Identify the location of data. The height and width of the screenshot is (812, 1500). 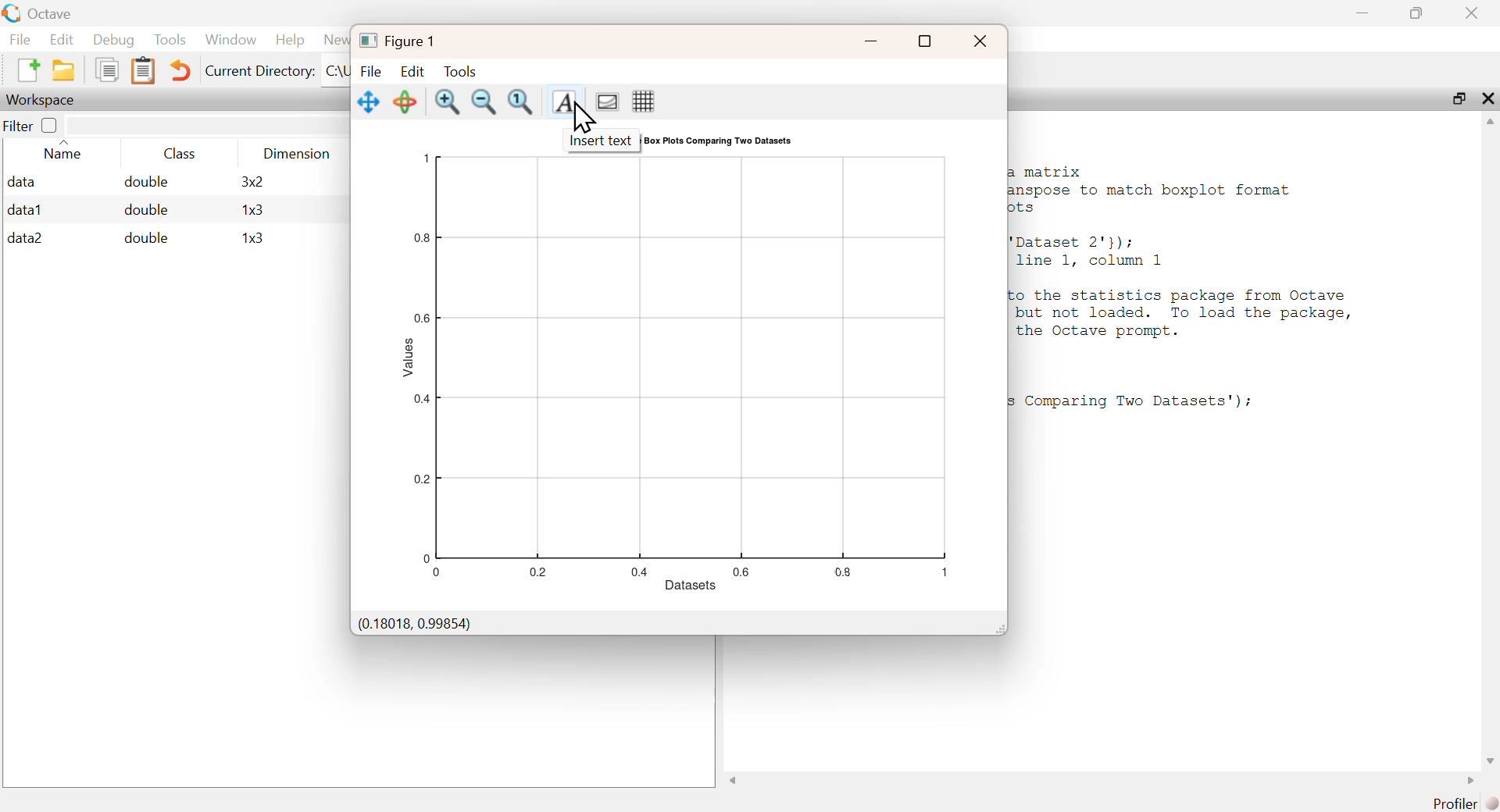
(23, 181).